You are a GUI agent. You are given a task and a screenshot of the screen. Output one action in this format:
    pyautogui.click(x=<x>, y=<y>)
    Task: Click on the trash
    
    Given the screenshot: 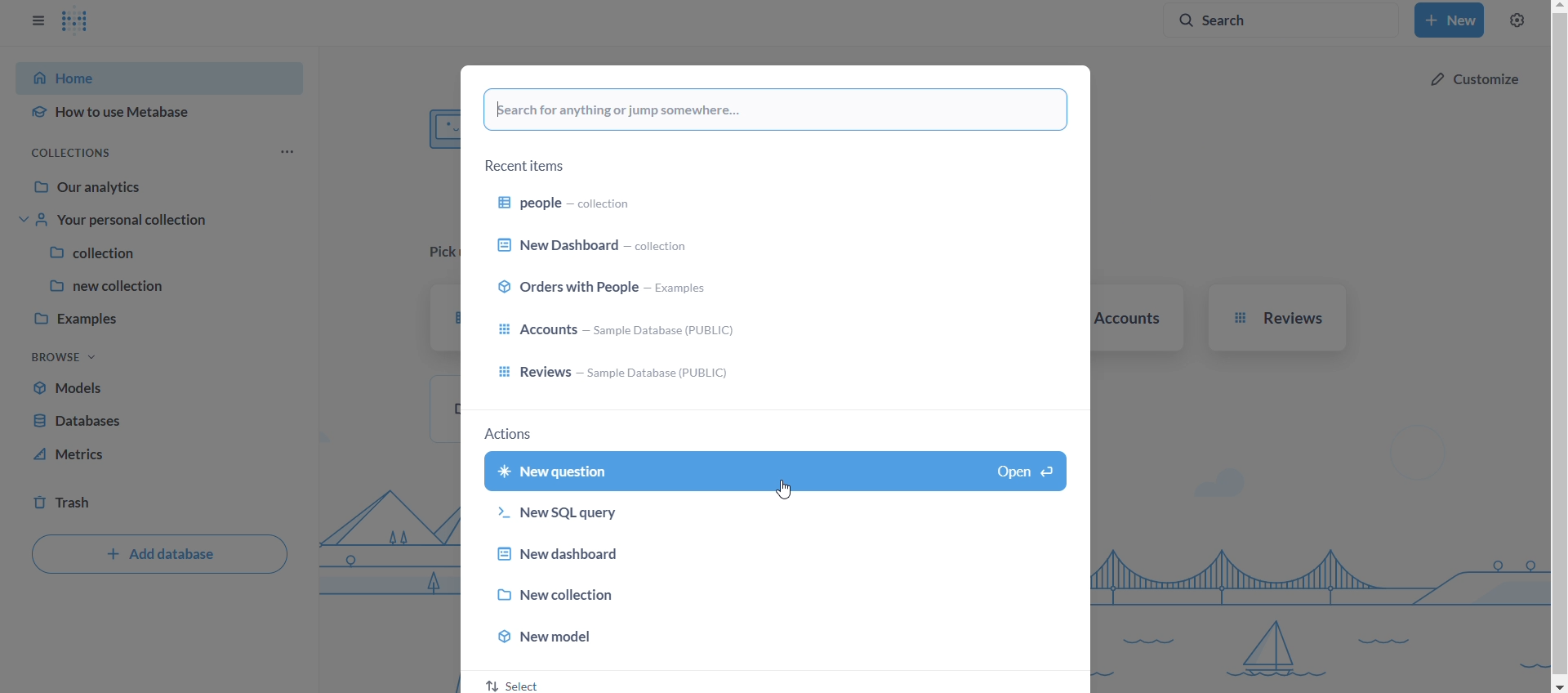 What is the action you would take?
    pyautogui.click(x=163, y=503)
    